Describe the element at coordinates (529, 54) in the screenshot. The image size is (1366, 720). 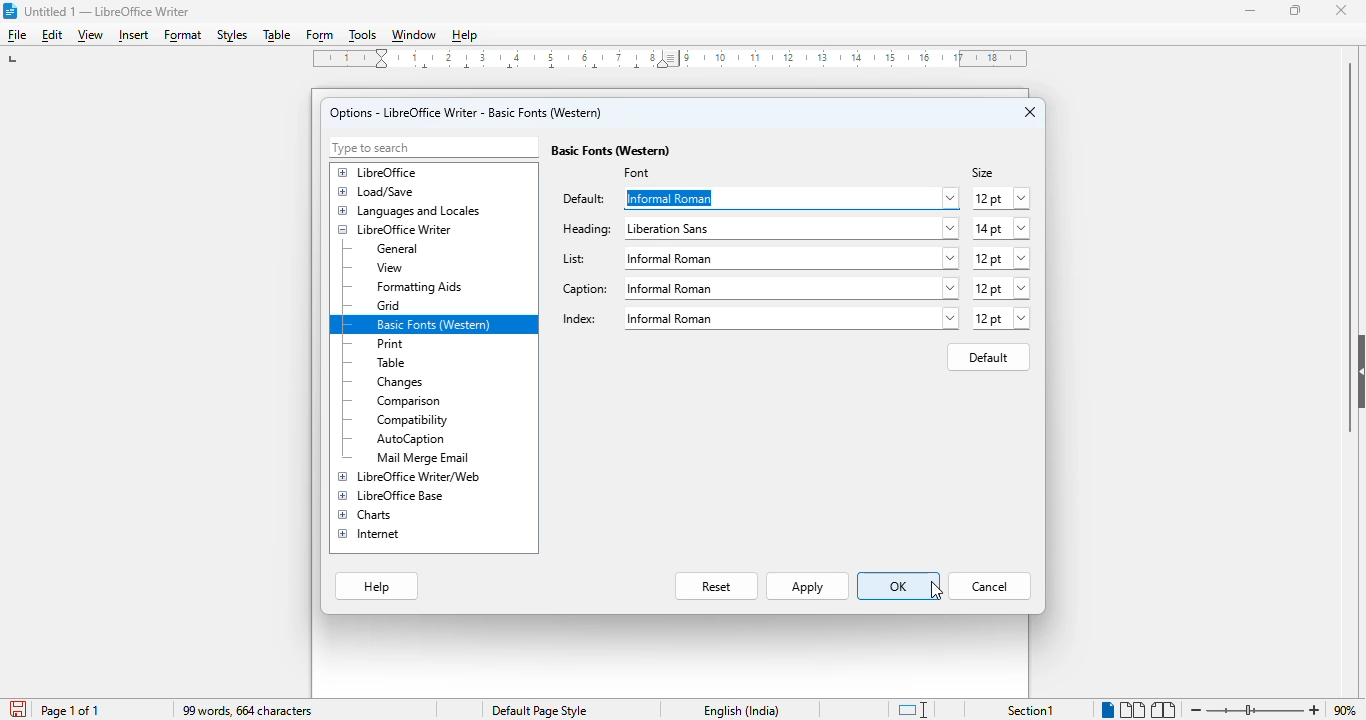
I see `2, 3, 4, ,5, 6, 7` at that location.